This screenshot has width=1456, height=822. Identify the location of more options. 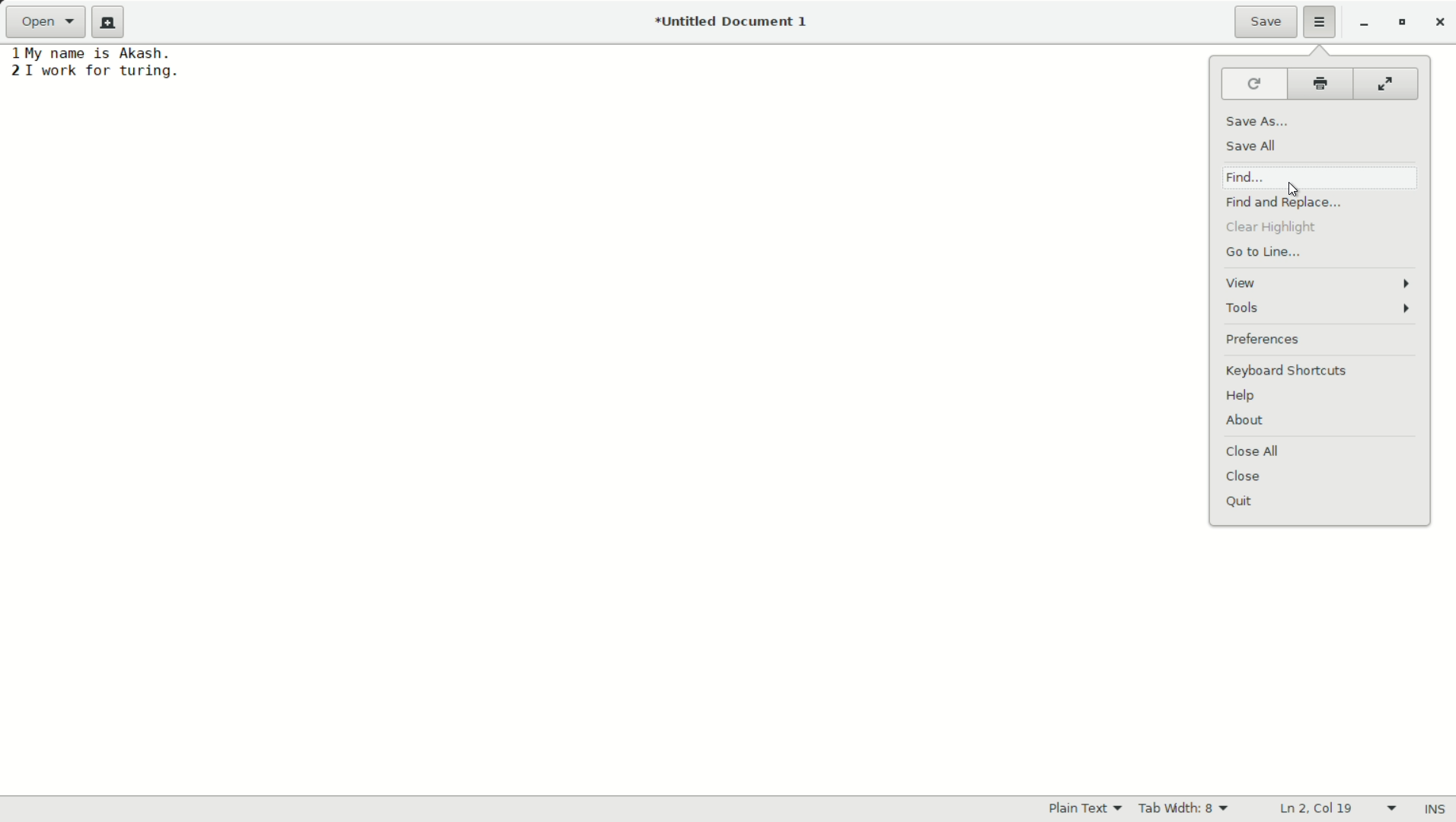
(1321, 22).